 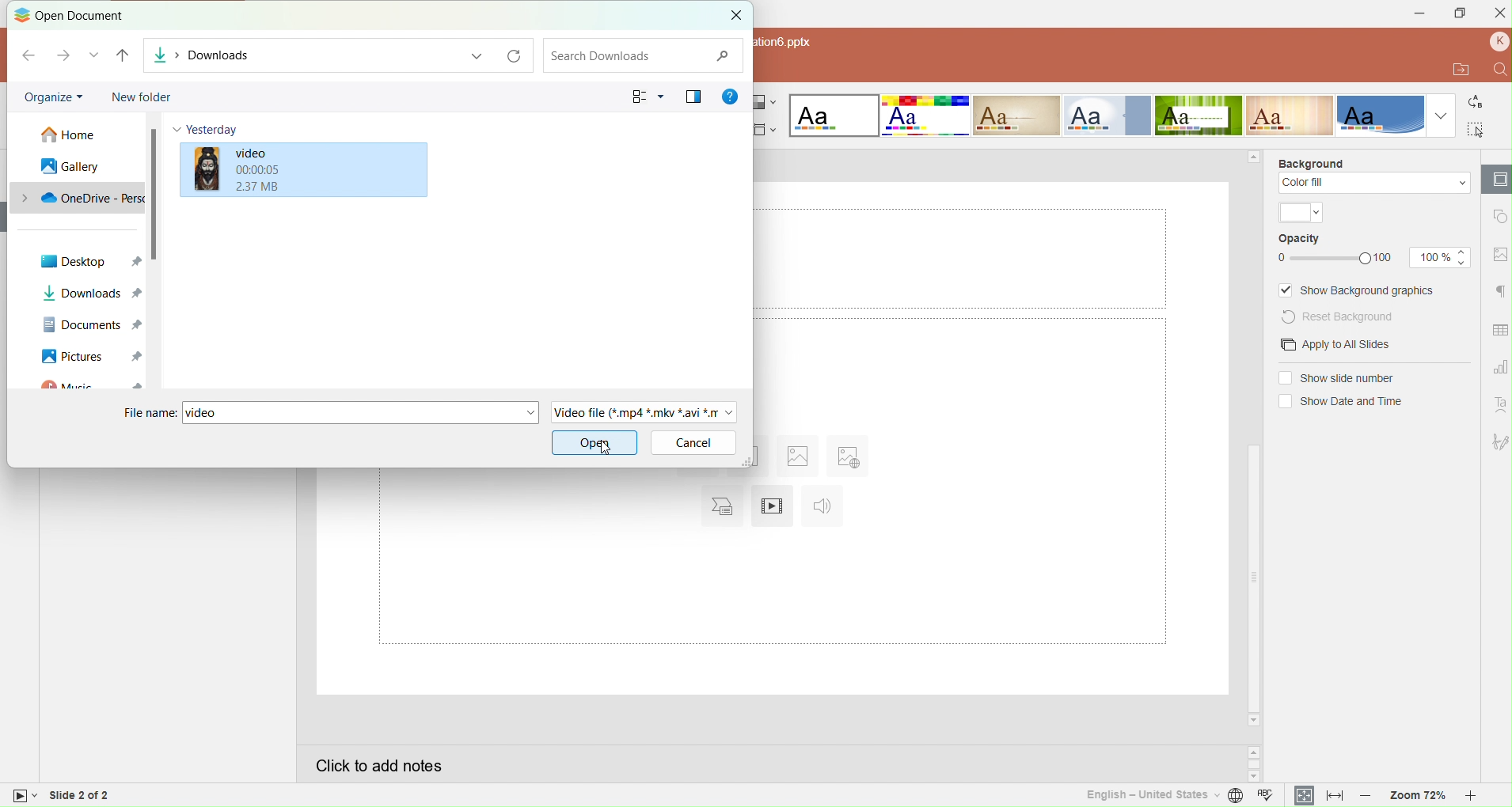 I want to click on shape setting, so click(x=1499, y=213).